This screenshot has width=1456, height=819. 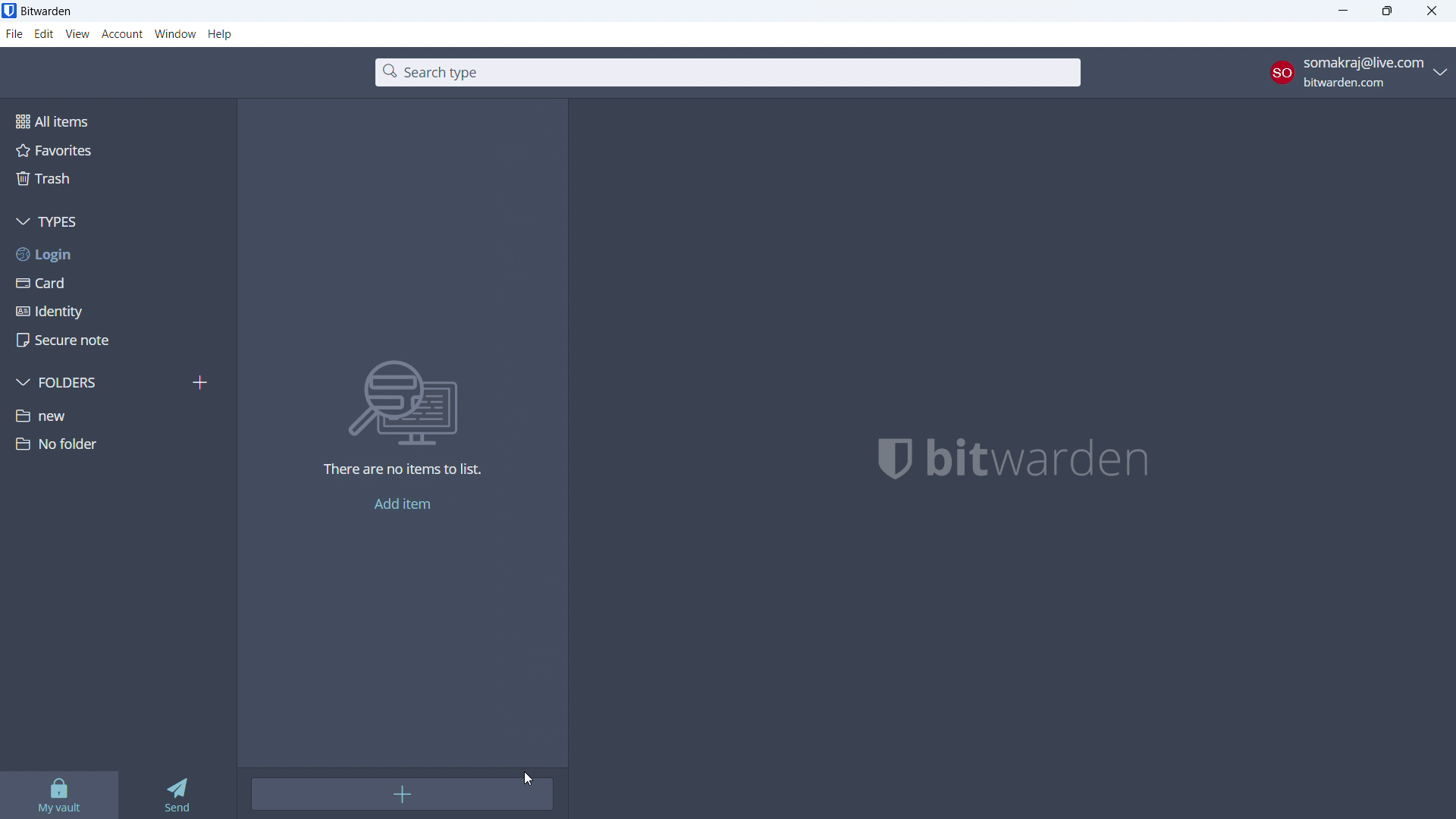 What do you see at coordinates (1432, 11) in the screenshot?
I see `close` at bounding box center [1432, 11].